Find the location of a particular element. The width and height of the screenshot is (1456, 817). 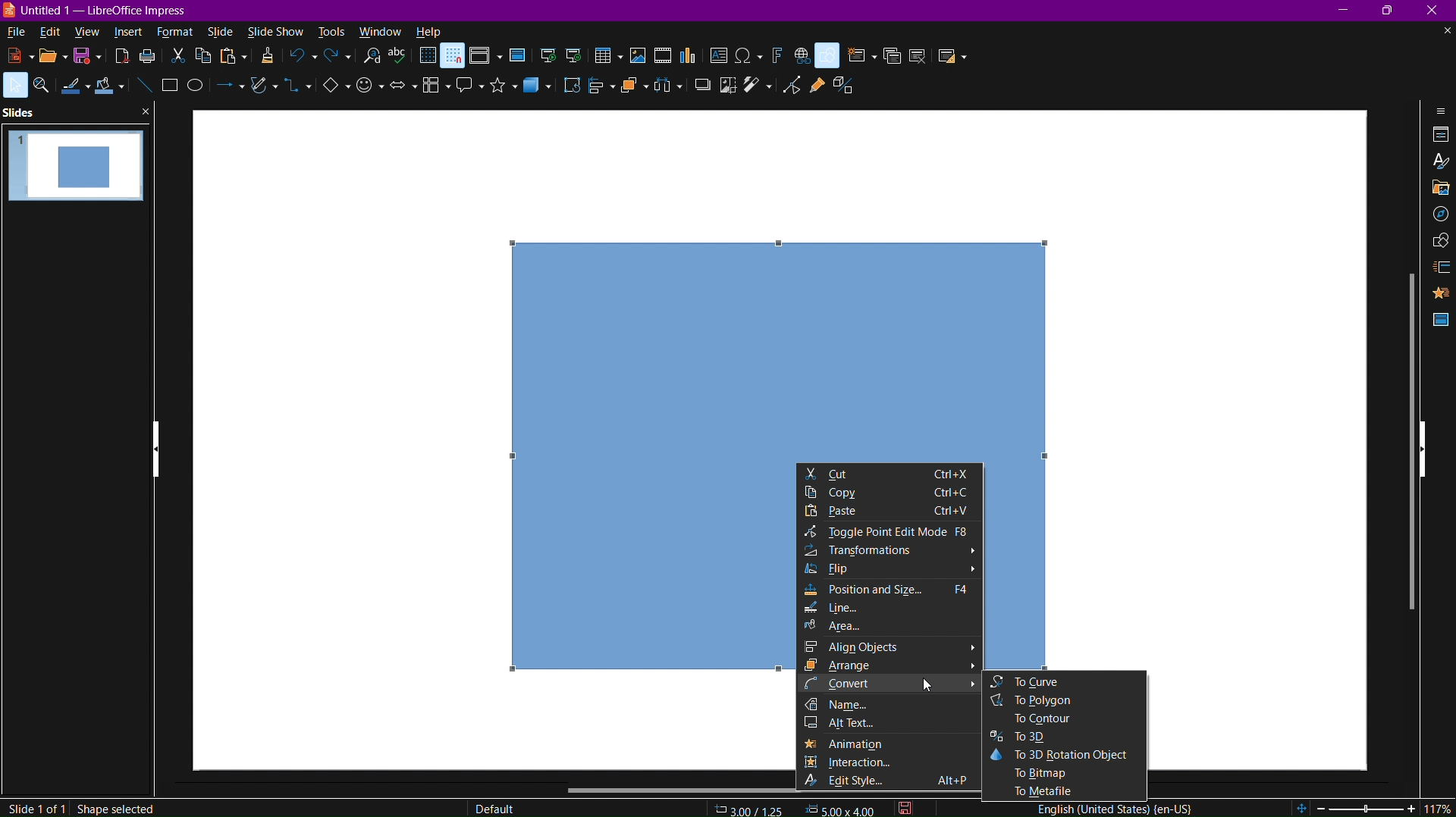

Minimize is located at coordinates (1345, 11).